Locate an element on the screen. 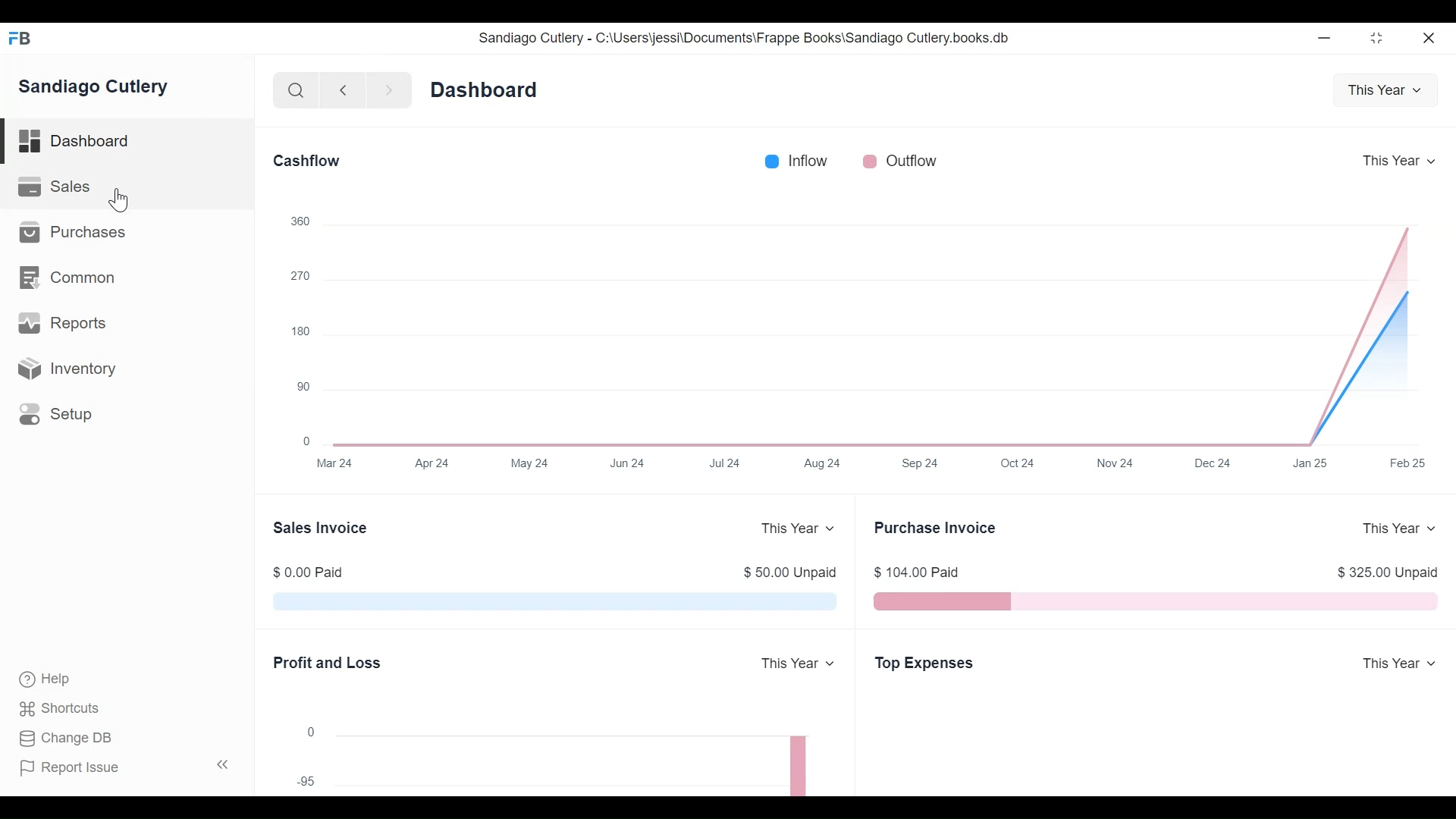 This screenshot has height=819, width=1456. This Year is located at coordinates (1385, 91).